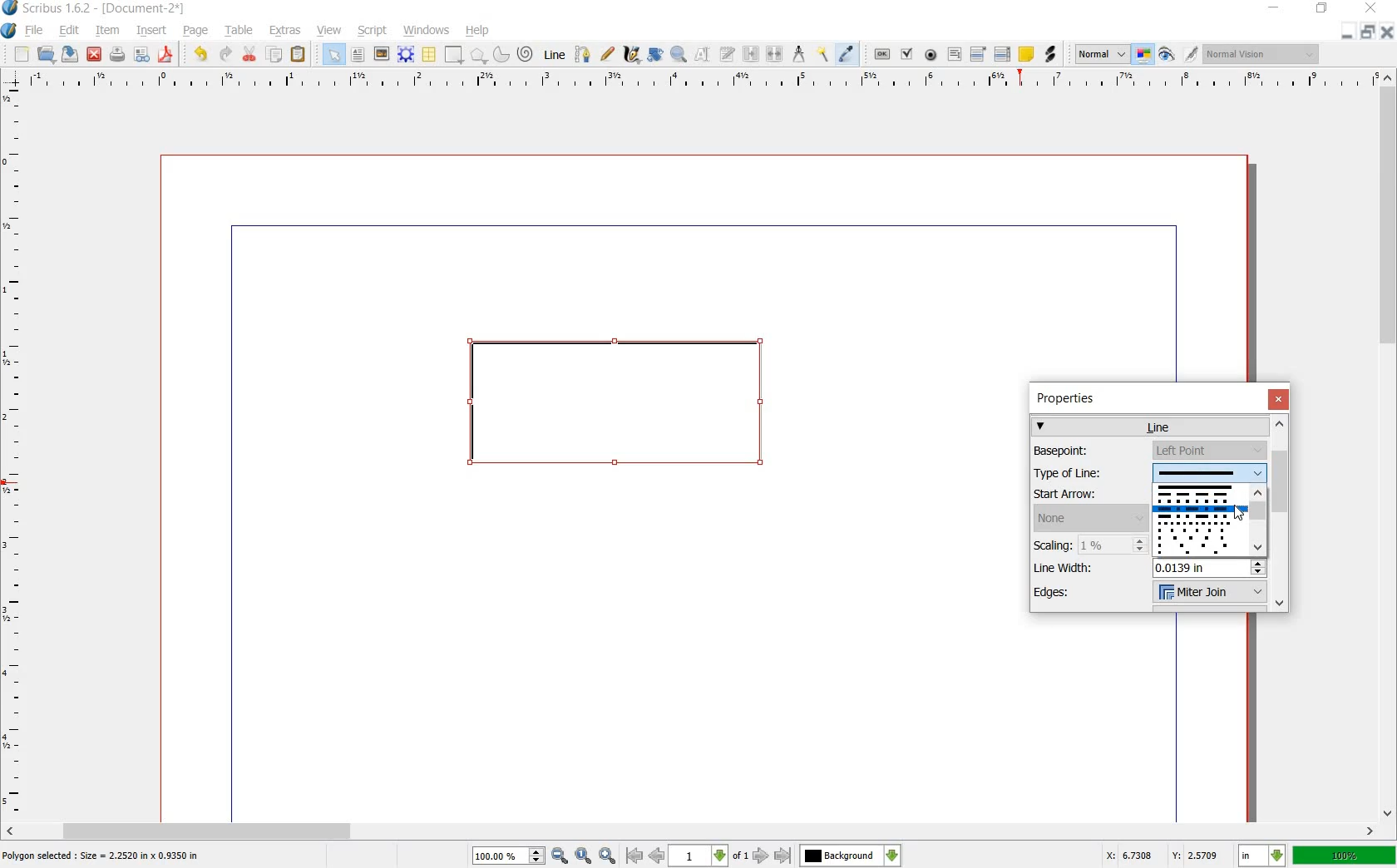  Describe the element at coordinates (954, 55) in the screenshot. I see `PDF TEXT FIELD` at that location.